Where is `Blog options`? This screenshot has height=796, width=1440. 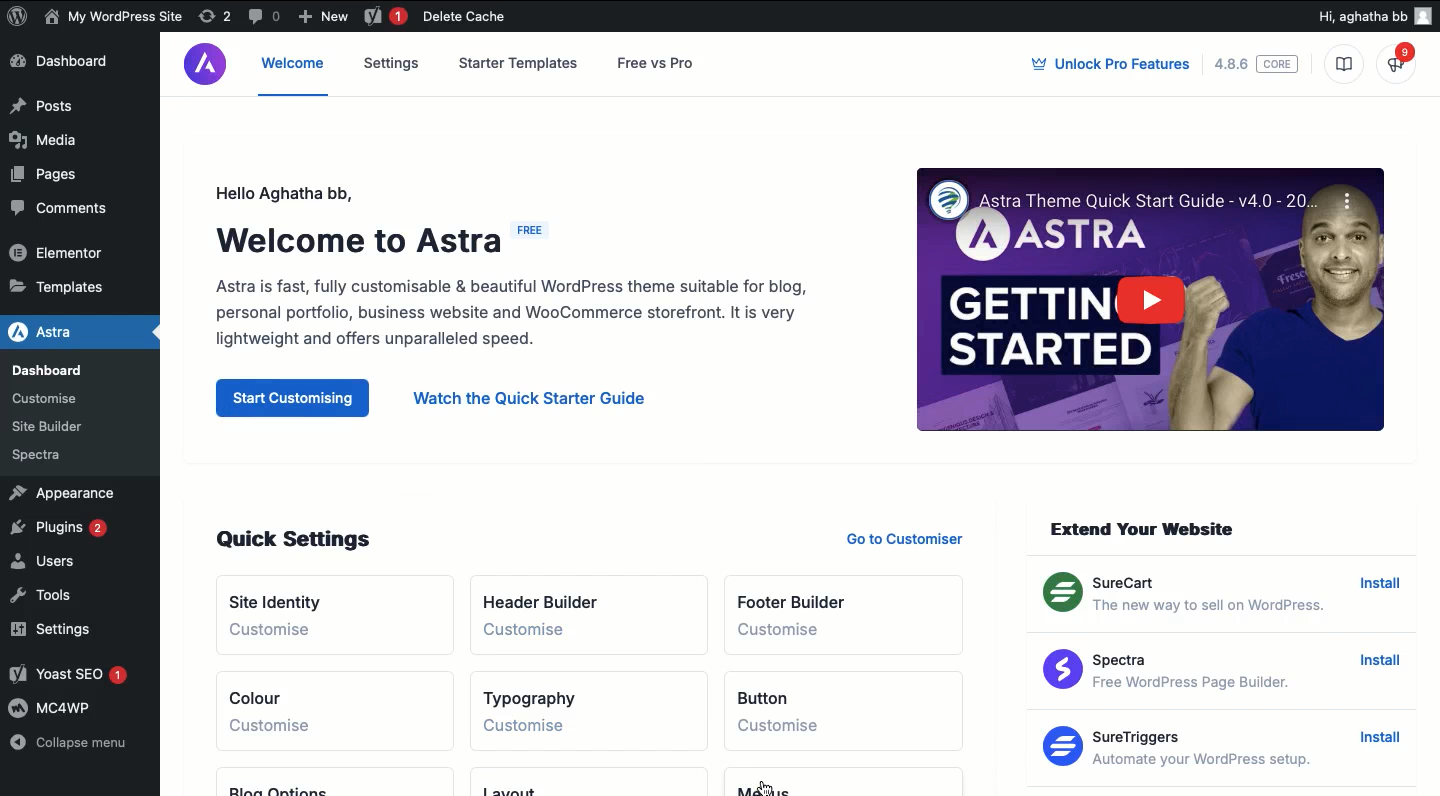
Blog options is located at coordinates (283, 783).